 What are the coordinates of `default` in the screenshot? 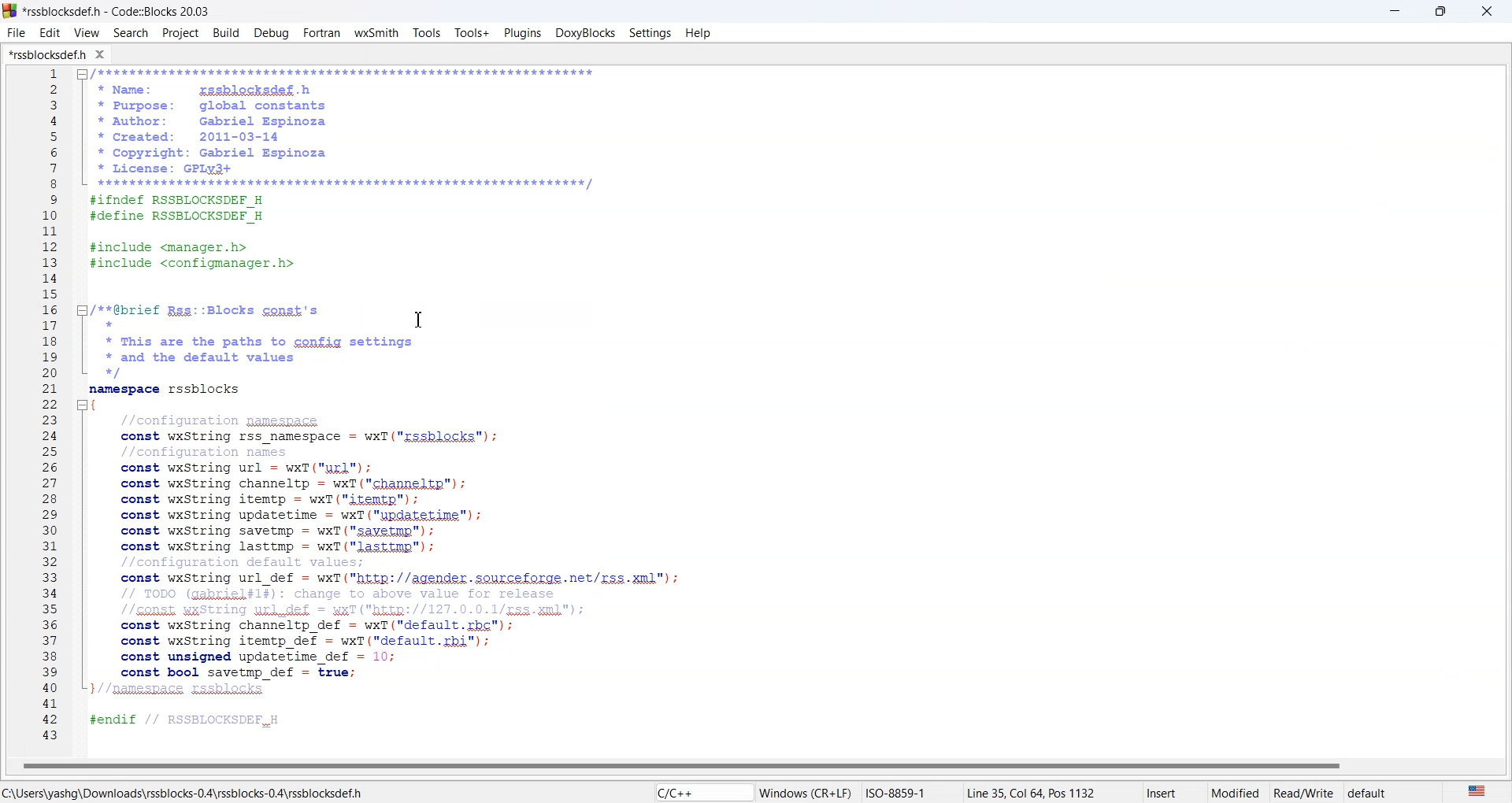 It's located at (1388, 790).